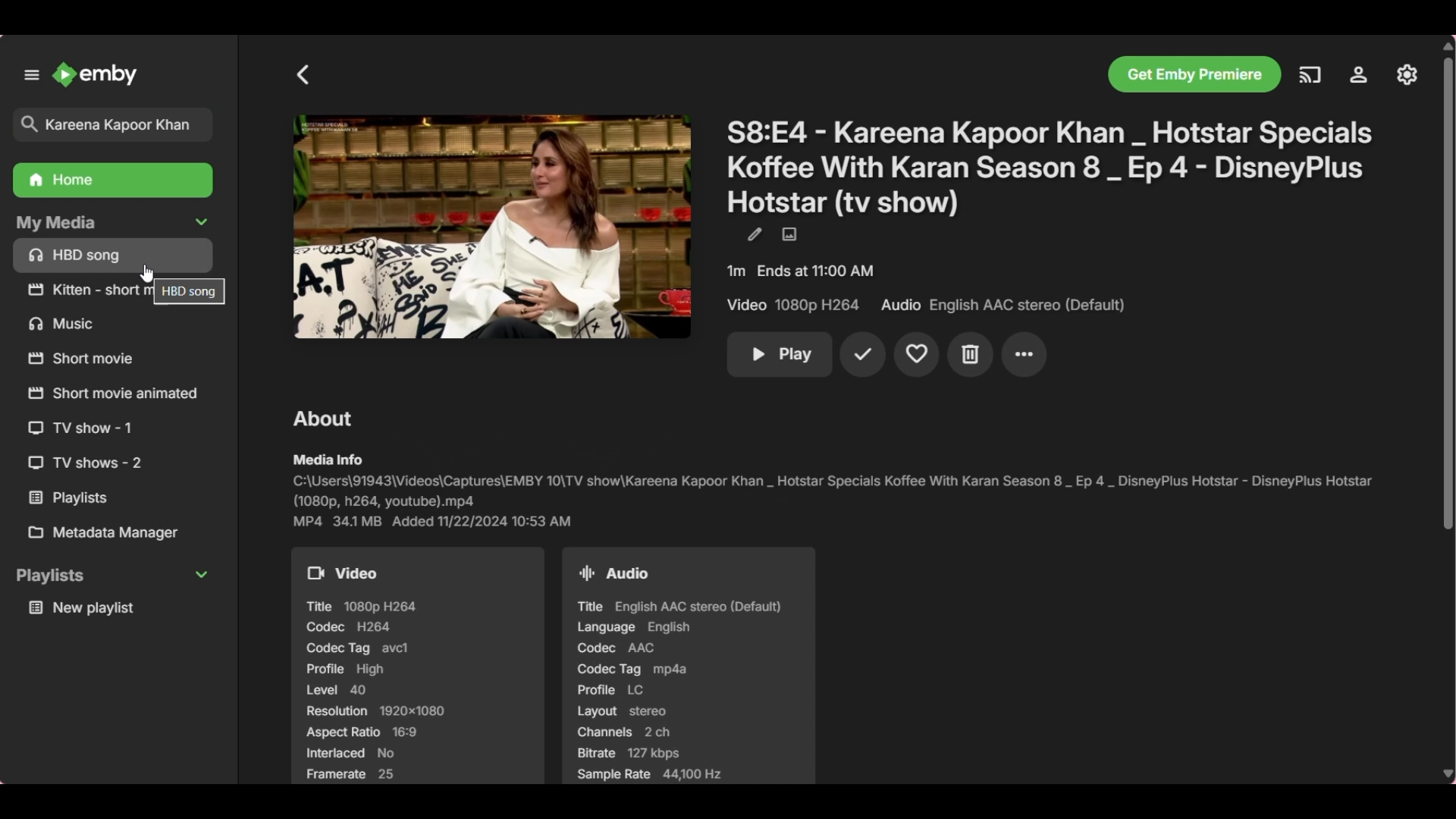  What do you see at coordinates (492, 226) in the screenshot?
I see `Cover image of selected search` at bounding box center [492, 226].